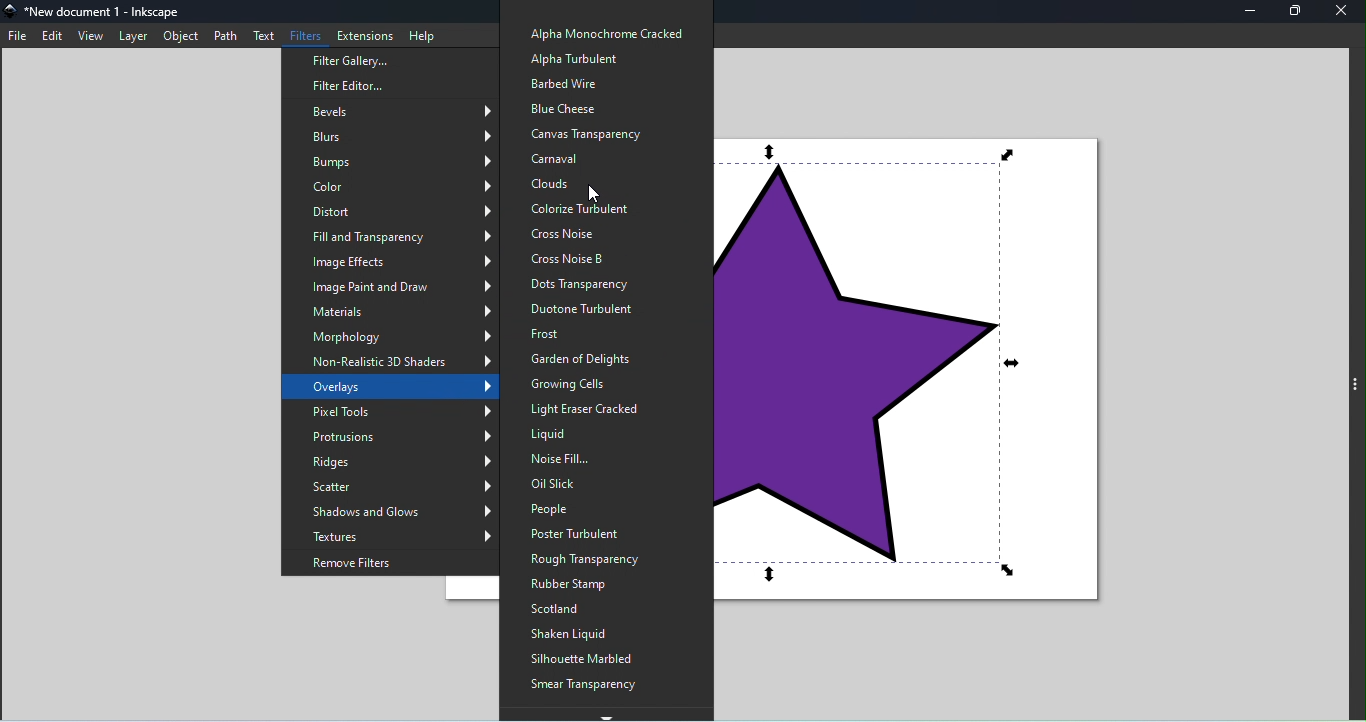  Describe the element at coordinates (395, 185) in the screenshot. I see `Color` at that location.